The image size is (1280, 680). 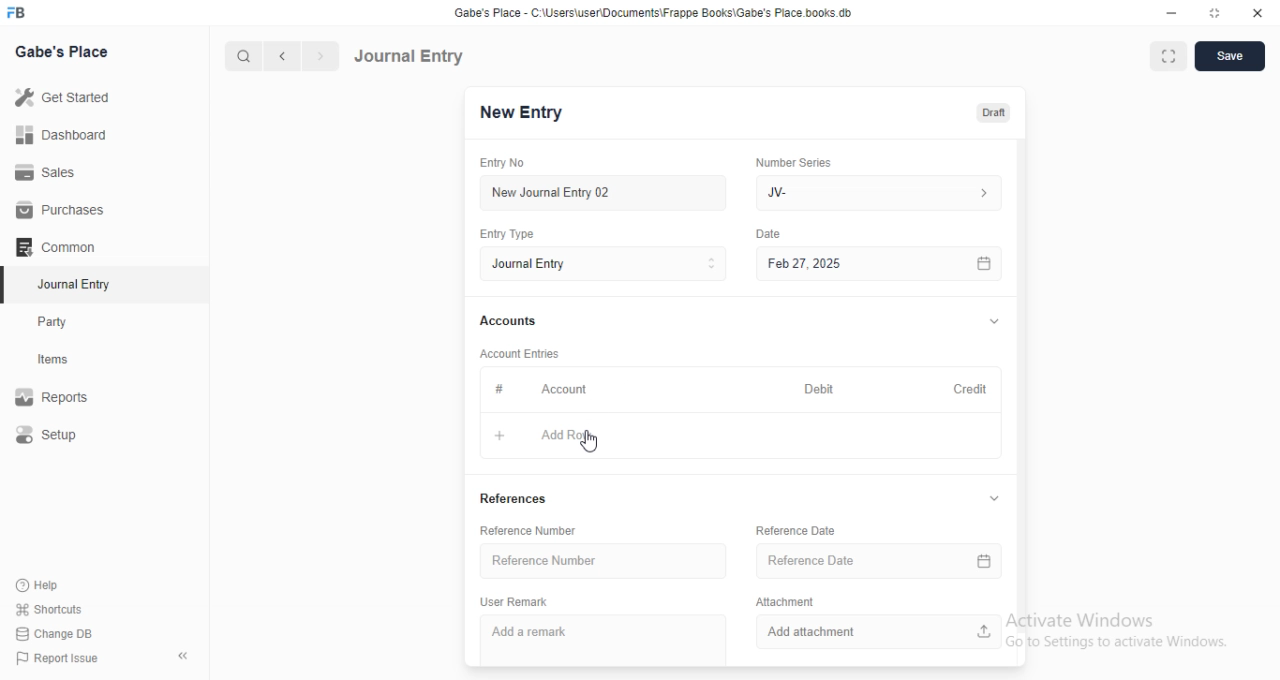 I want to click on Journal Entry, so click(x=603, y=264).